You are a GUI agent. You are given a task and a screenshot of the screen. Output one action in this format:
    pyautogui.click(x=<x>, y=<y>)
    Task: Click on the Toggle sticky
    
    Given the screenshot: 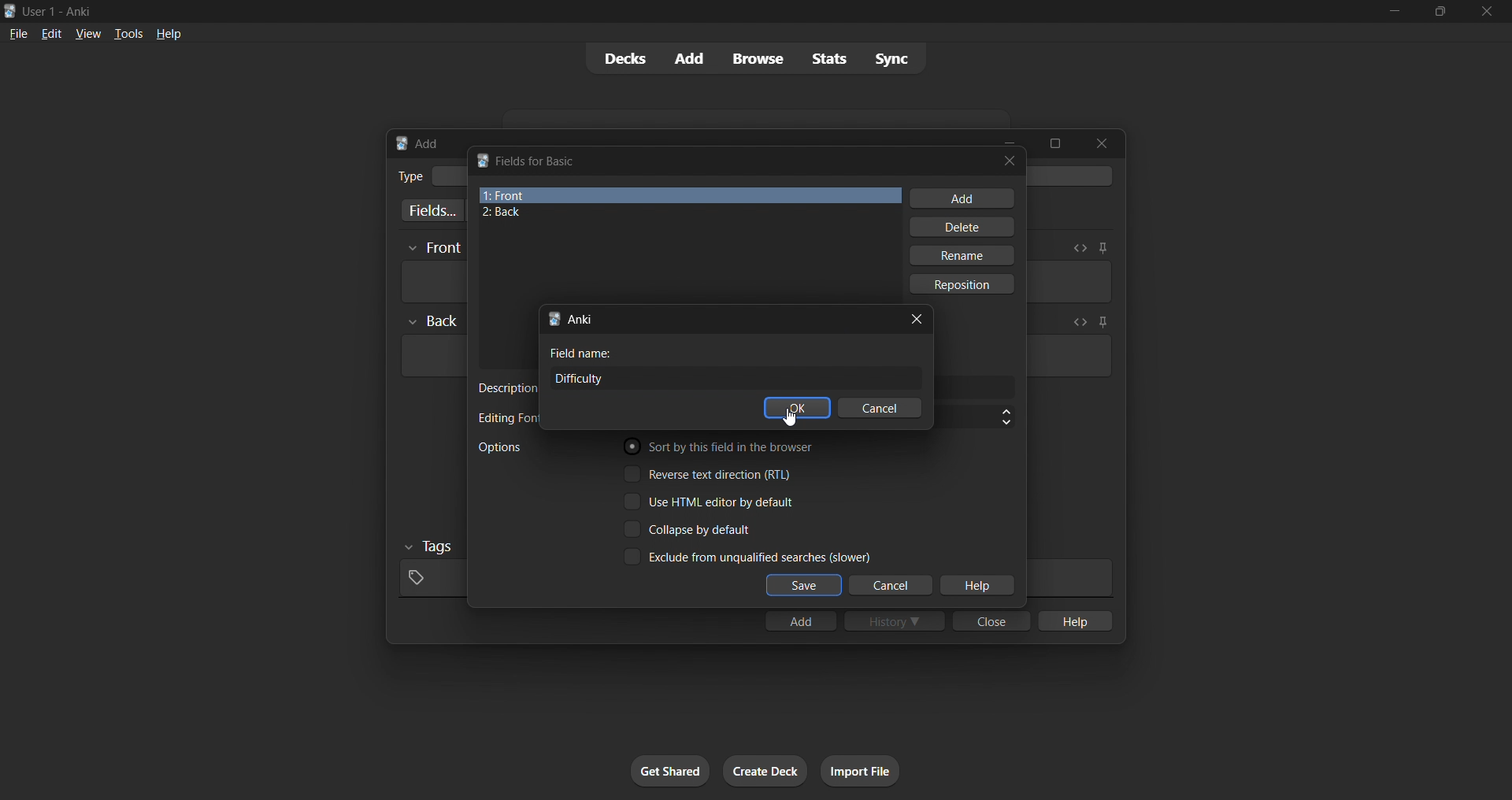 What is the action you would take?
    pyautogui.click(x=1102, y=248)
    